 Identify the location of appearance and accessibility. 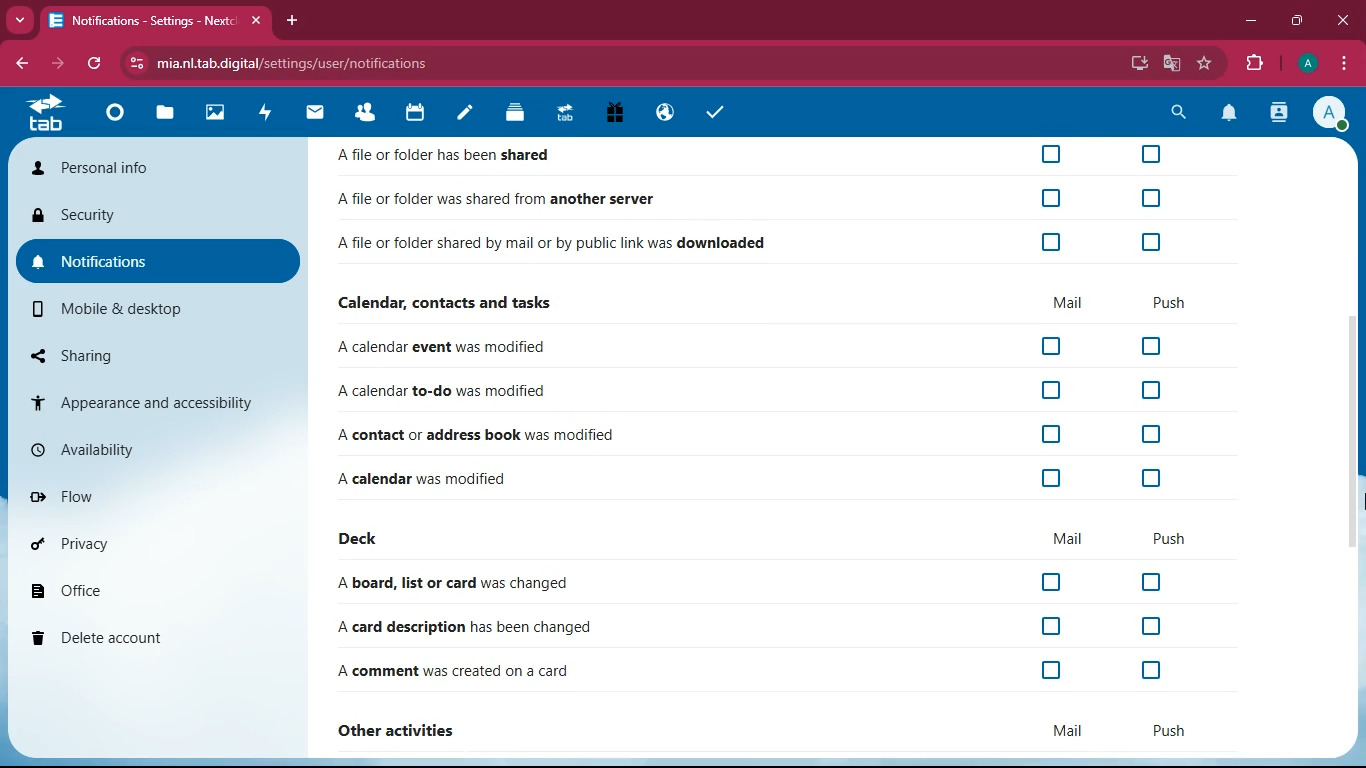
(155, 403).